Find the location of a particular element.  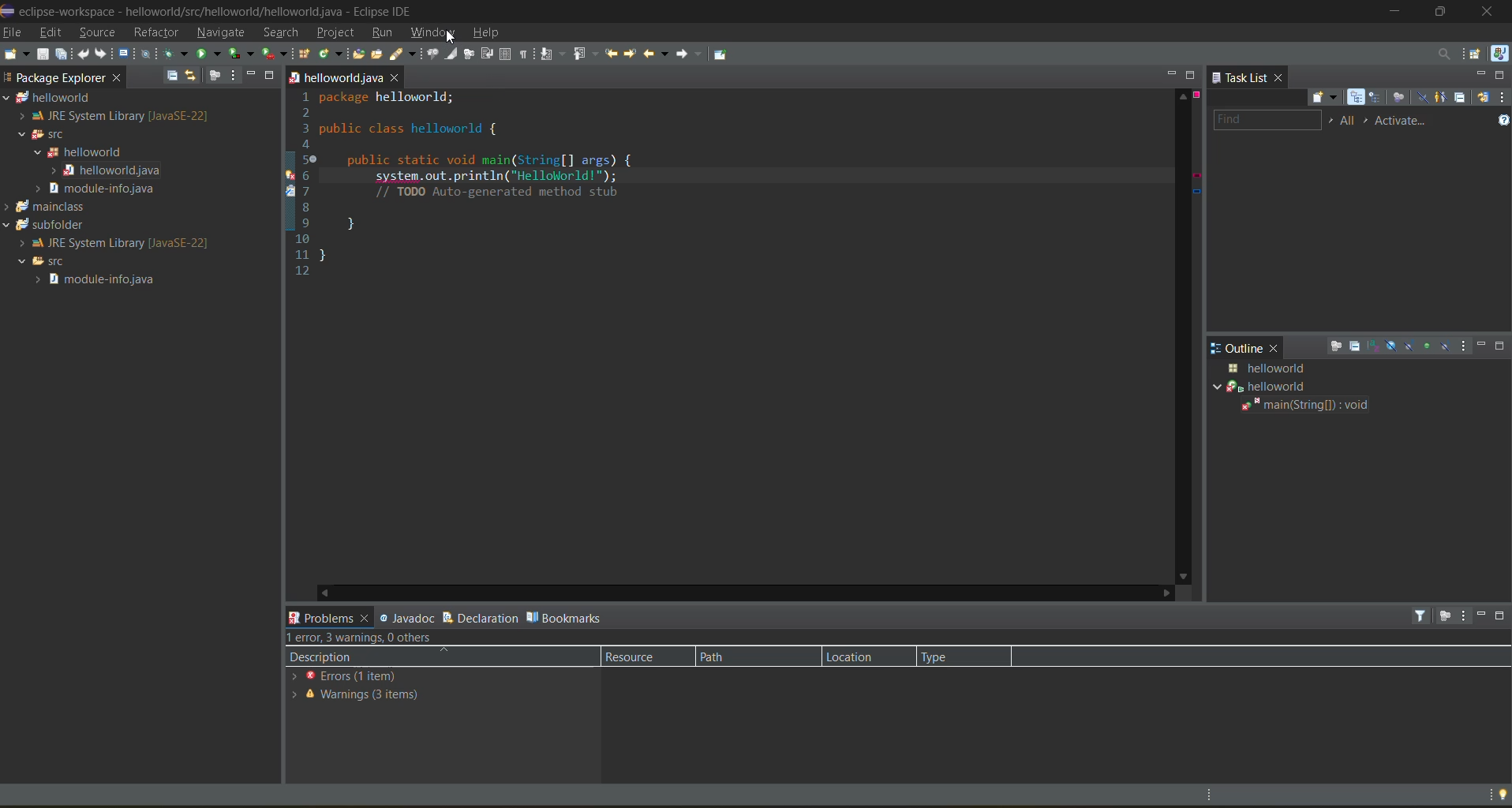

problems is located at coordinates (326, 618).